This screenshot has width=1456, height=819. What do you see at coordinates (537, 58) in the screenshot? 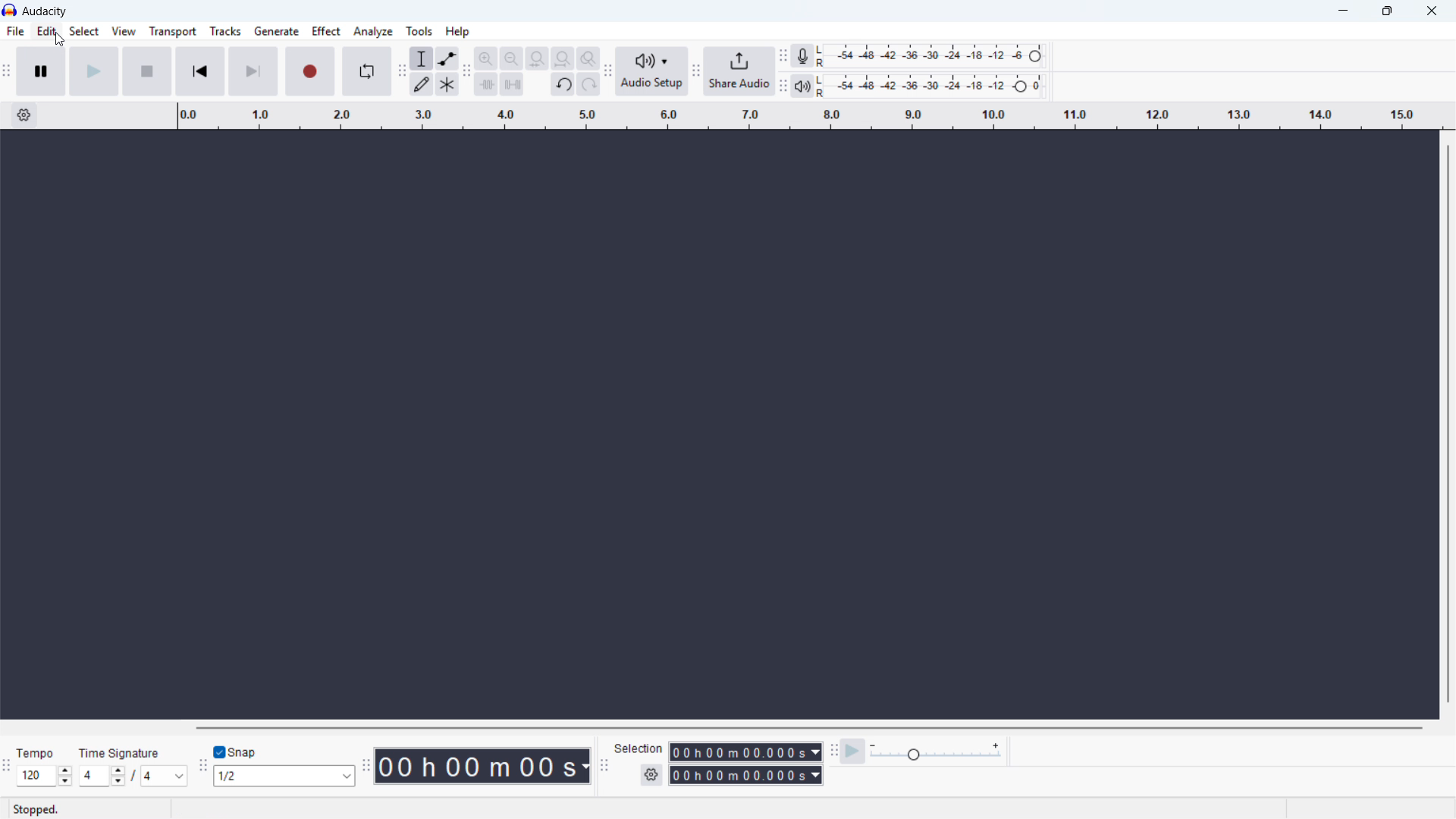
I see `fit selection to width` at bounding box center [537, 58].